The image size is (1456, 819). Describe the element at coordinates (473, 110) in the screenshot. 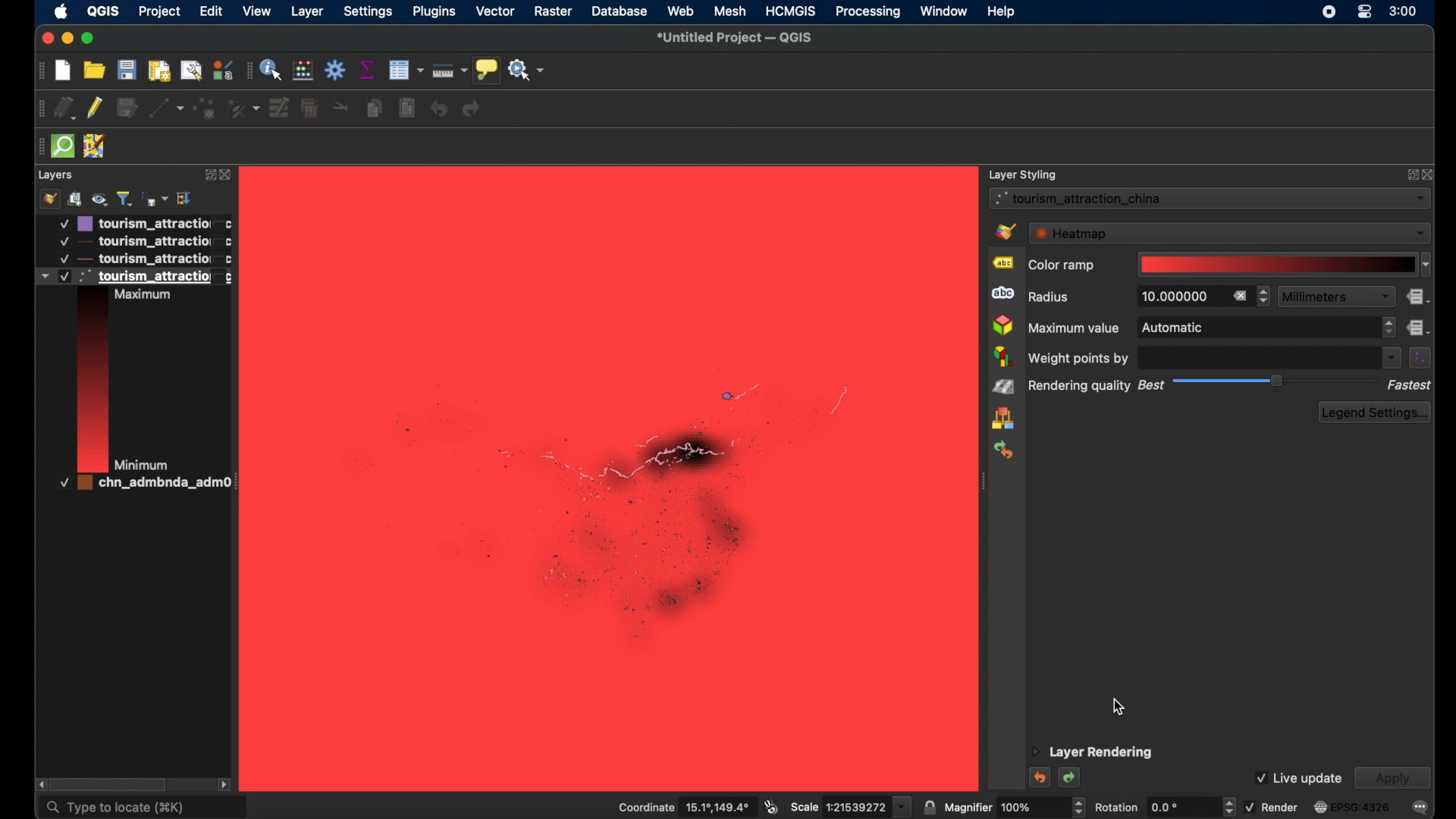

I see `redo` at that location.